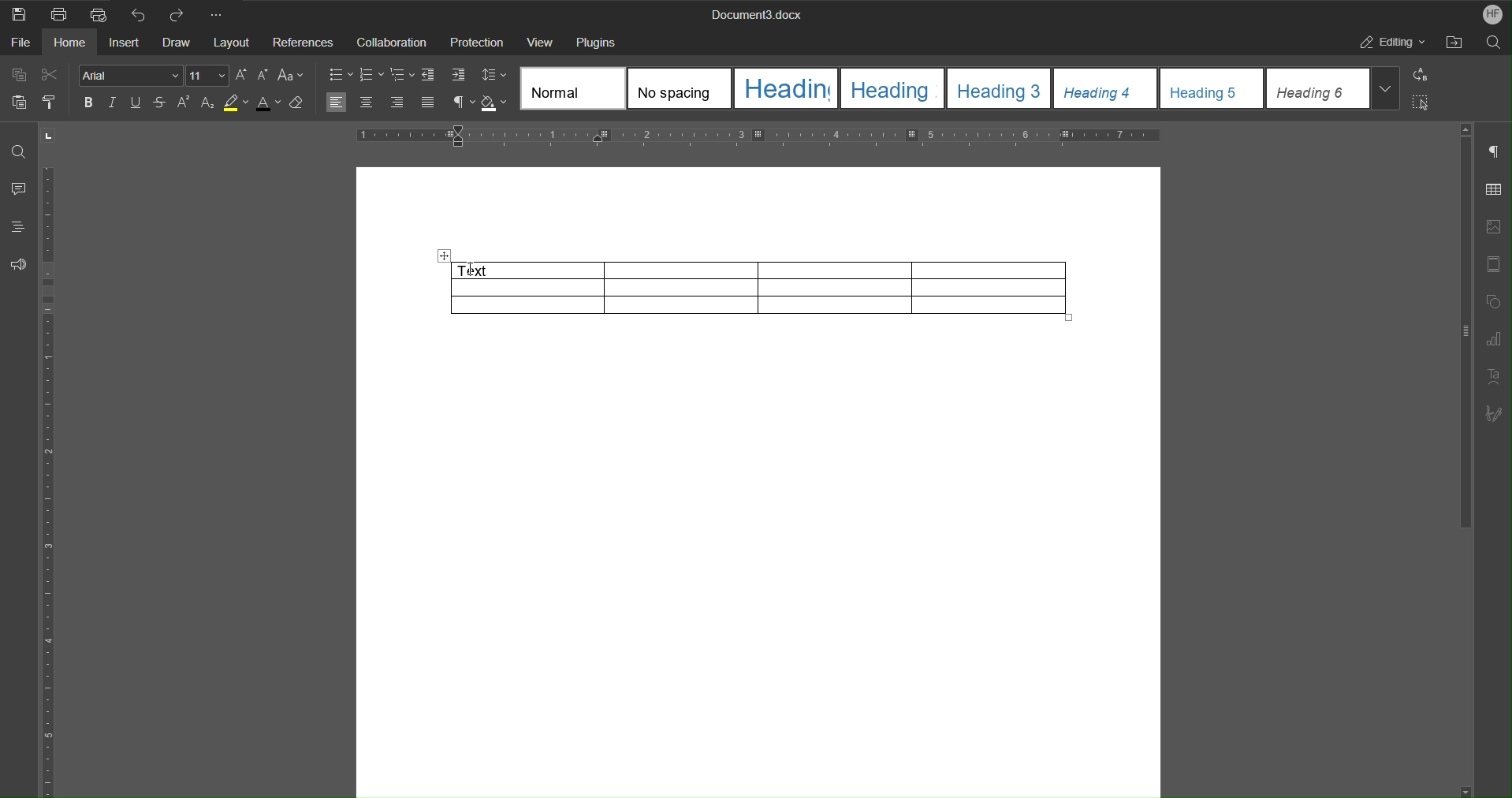 This screenshot has height=798, width=1512. I want to click on Font size, so click(254, 77).